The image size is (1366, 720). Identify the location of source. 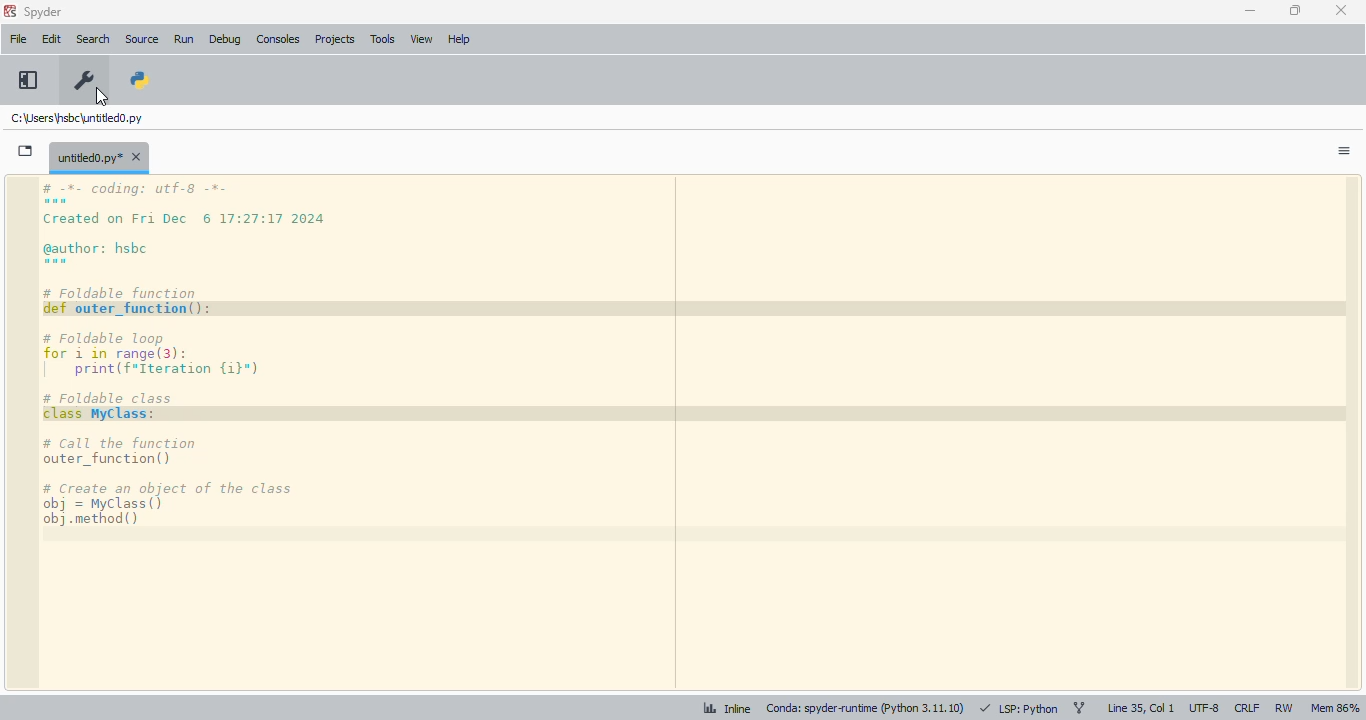
(141, 39).